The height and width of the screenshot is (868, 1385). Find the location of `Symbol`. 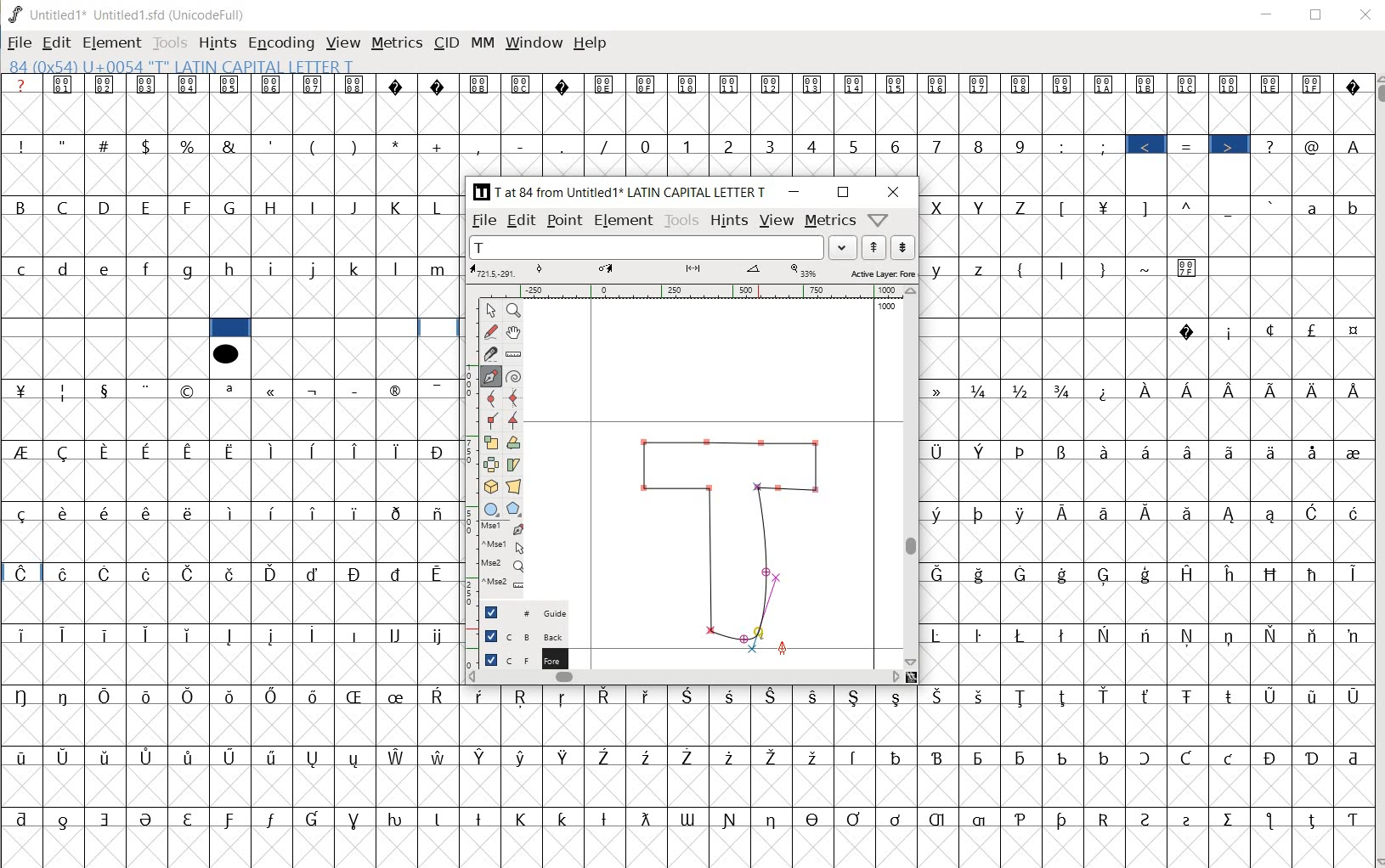

Symbol is located at coordinates (940, 819).